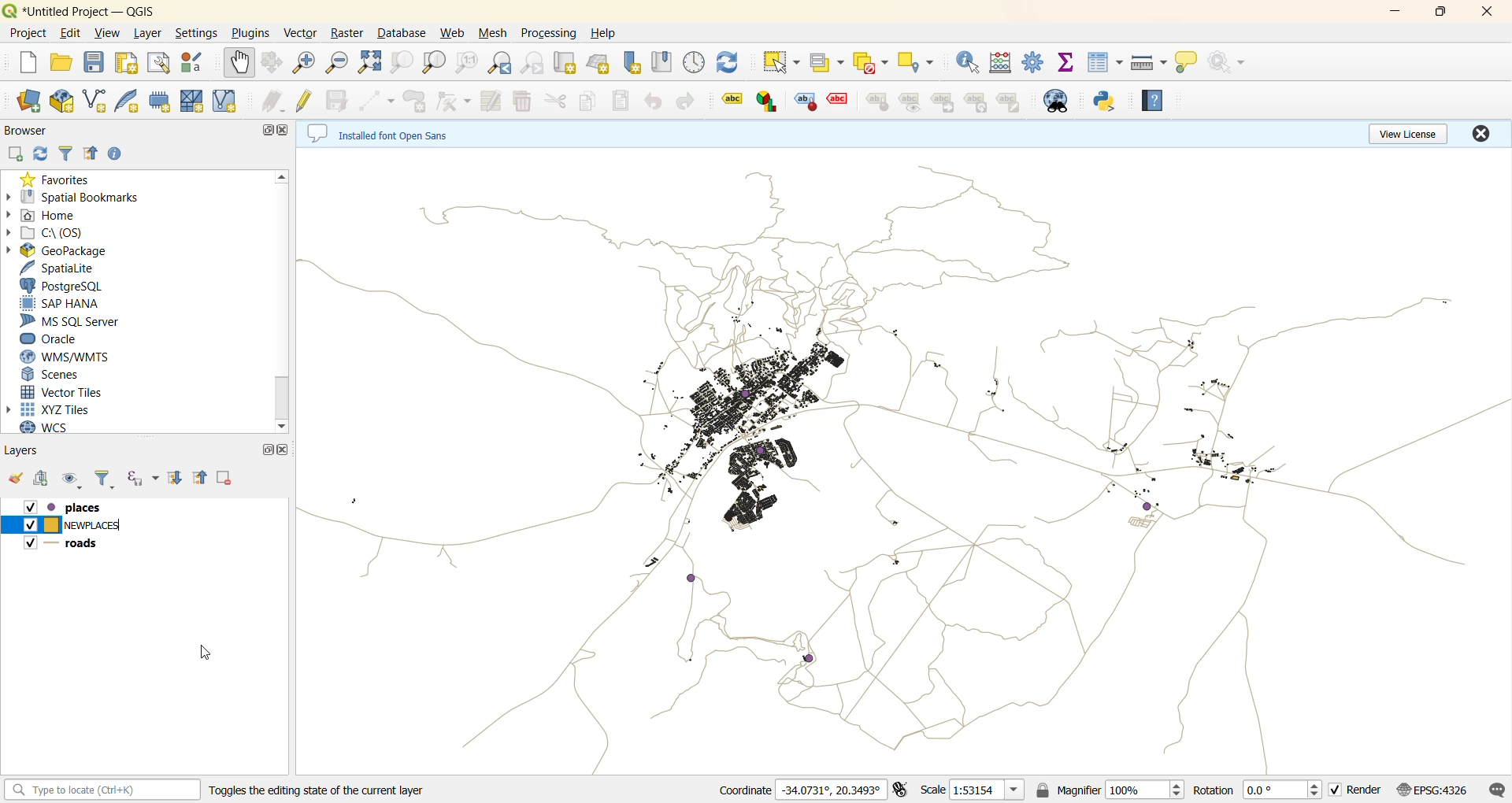 This screenshot has height=803, width=1512. I want to click on maximize, so click(265, 449).